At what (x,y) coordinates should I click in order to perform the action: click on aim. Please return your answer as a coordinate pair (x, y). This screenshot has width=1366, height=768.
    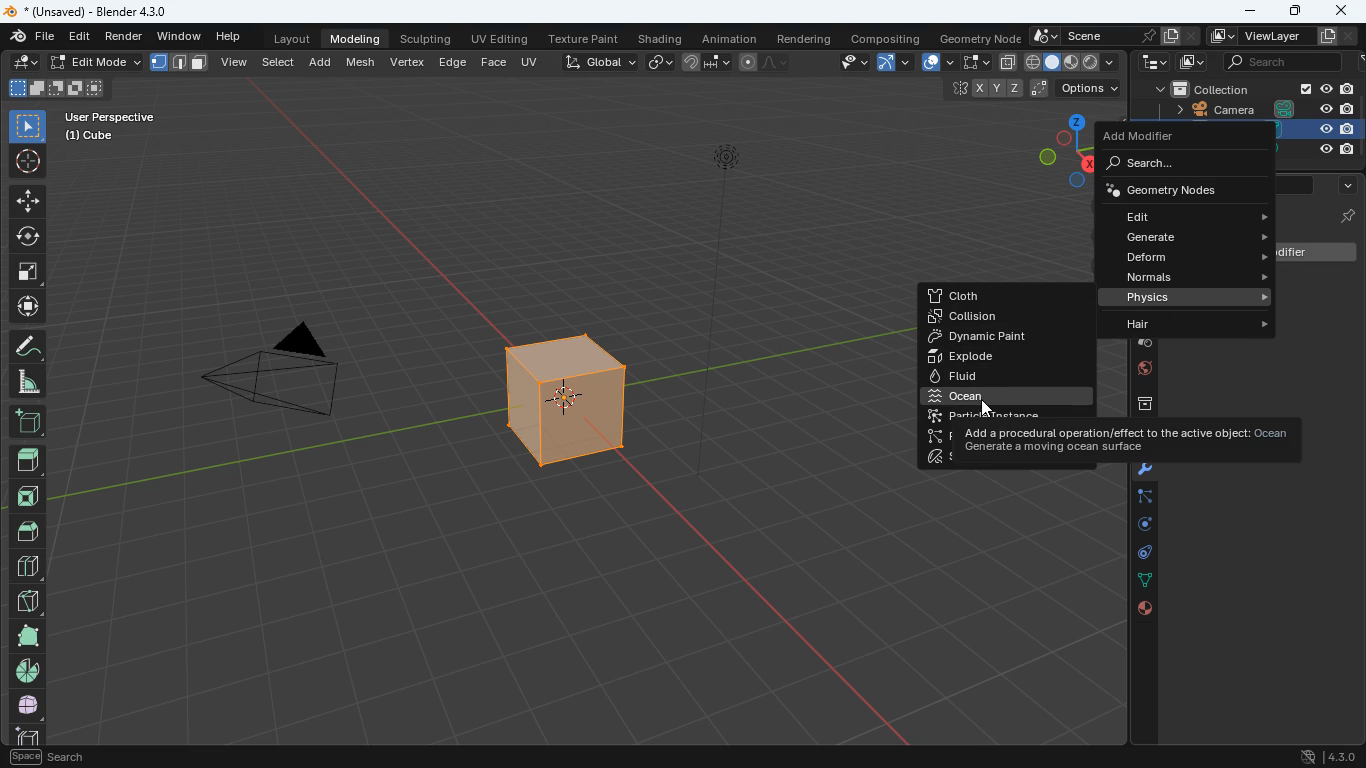
    Looking at the image, I should click on (30, 161).